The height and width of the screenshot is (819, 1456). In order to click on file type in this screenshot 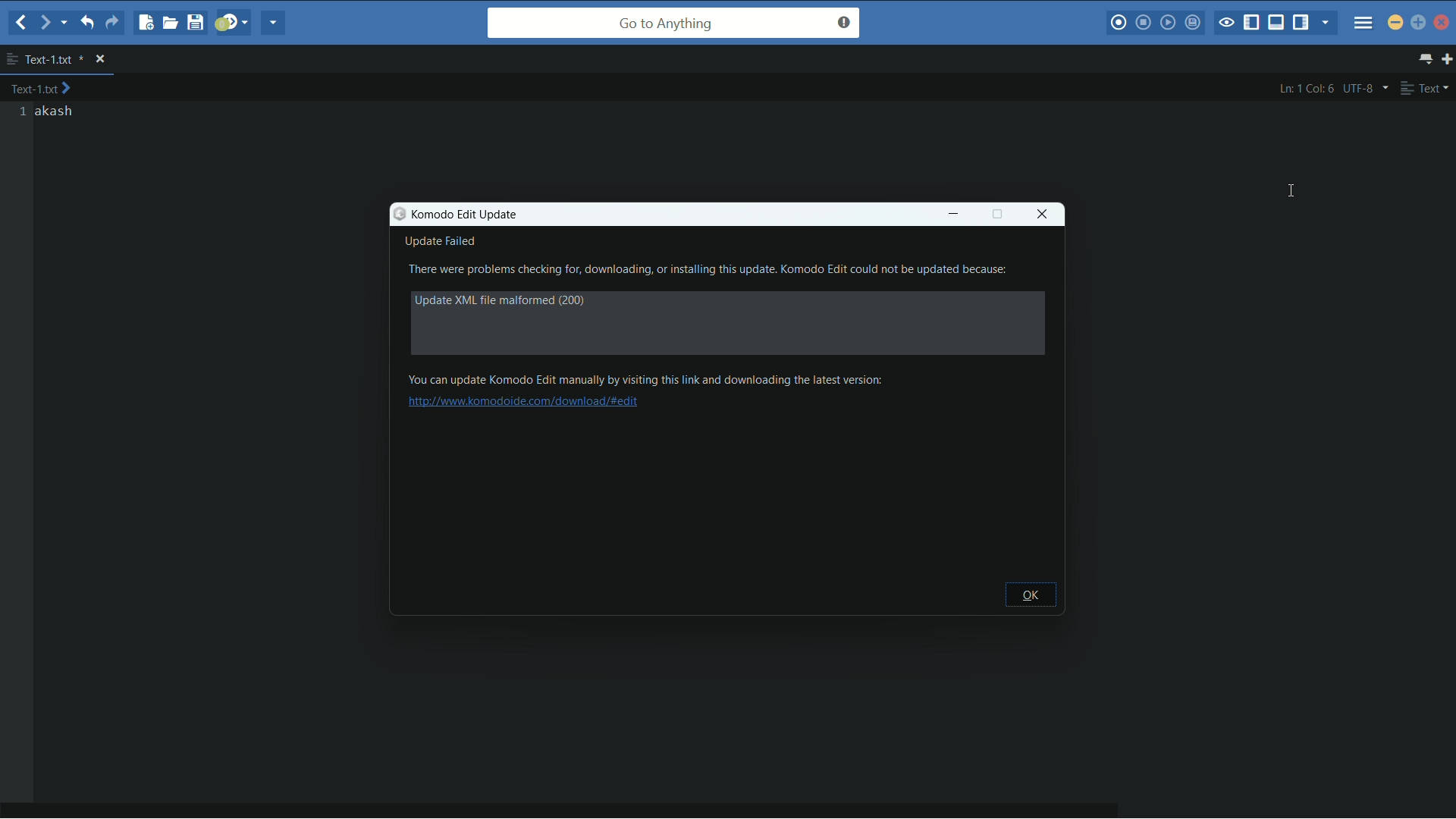, I will do `click(1426, 89)`.